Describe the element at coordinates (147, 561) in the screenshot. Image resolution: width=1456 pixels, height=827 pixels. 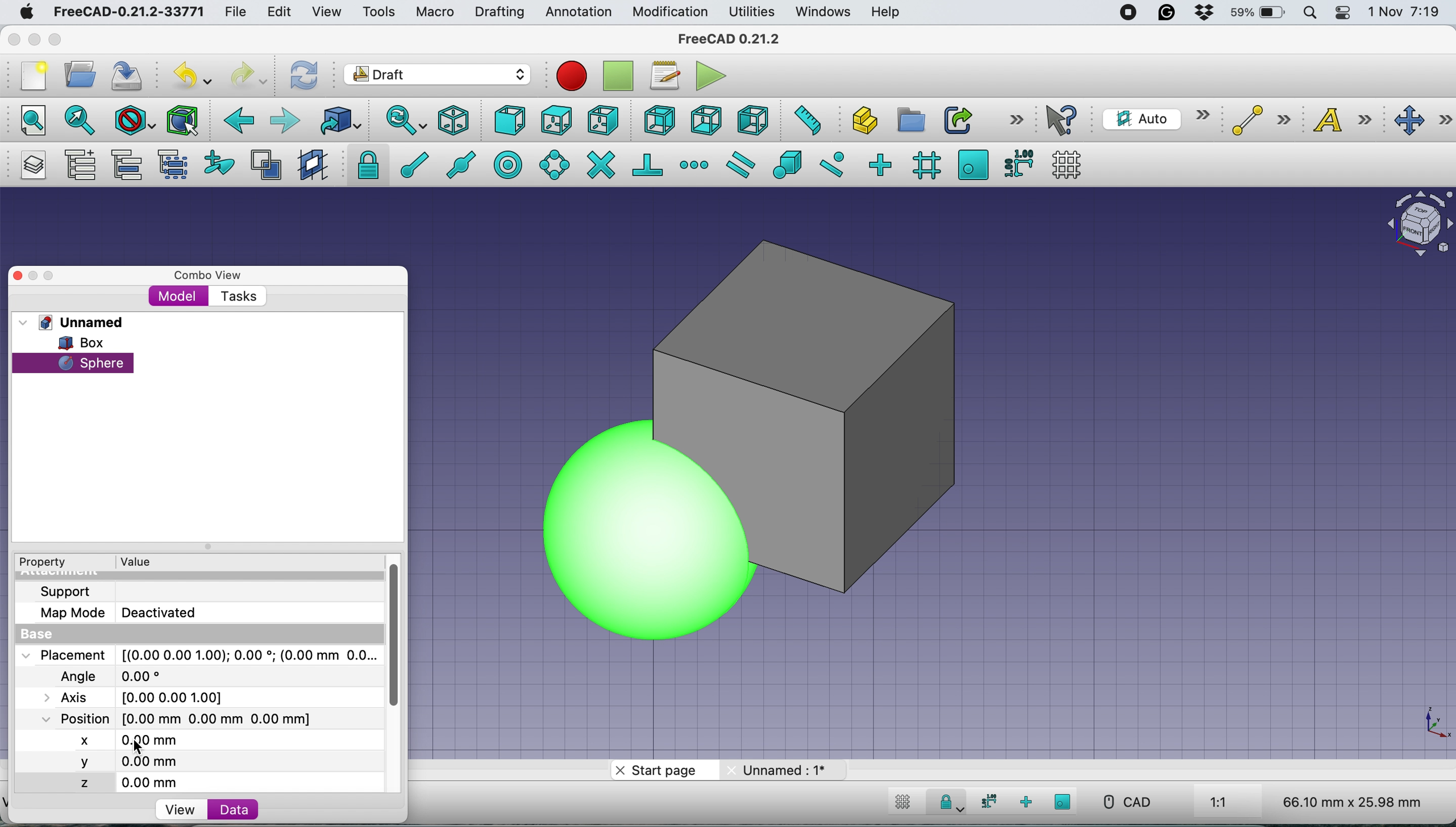
I see `value` at that location.